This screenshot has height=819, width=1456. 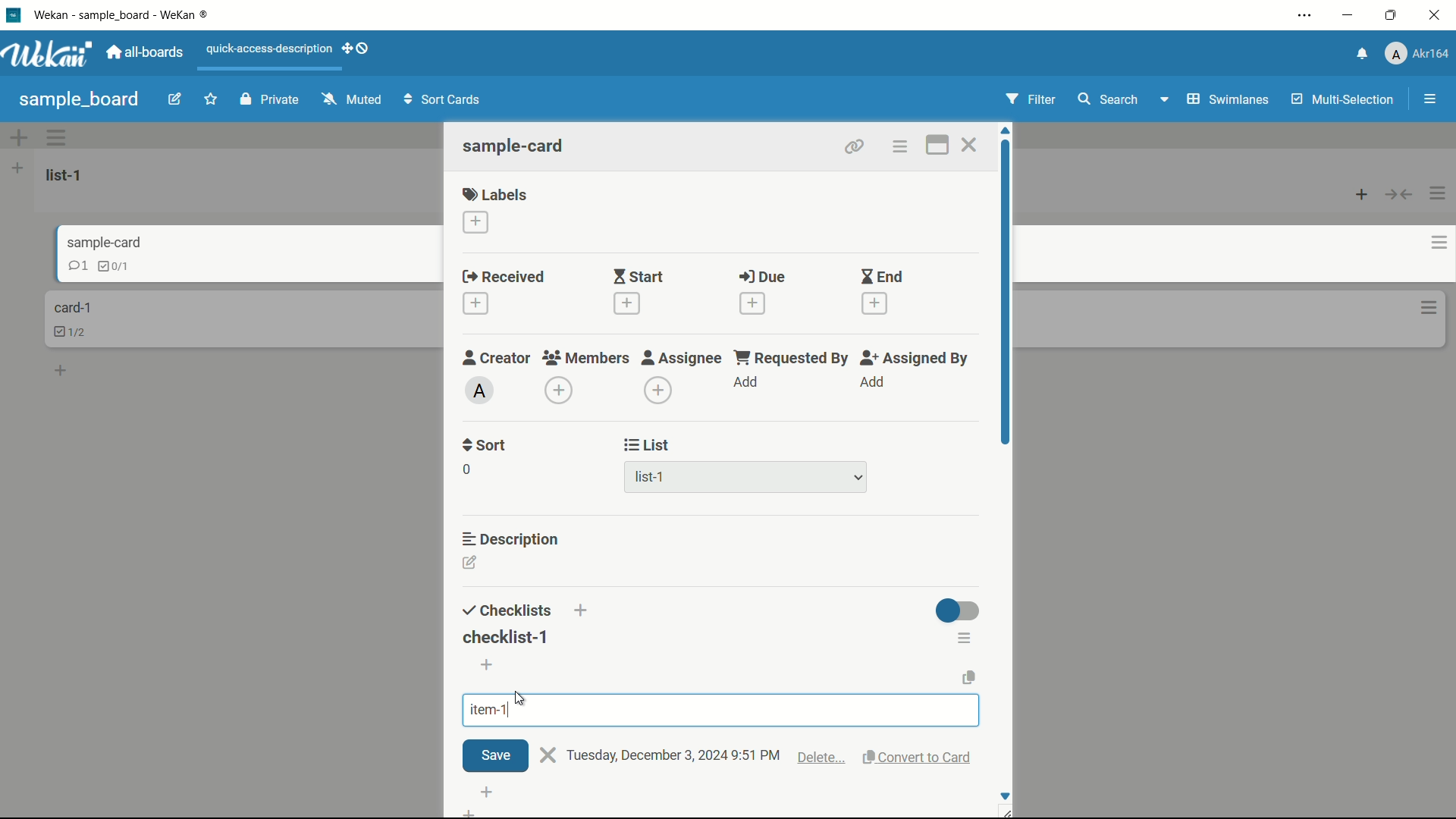 What do you see at coordinates (548, 755) in the screenshot?
I see `close` at bounding box center [548, 755].